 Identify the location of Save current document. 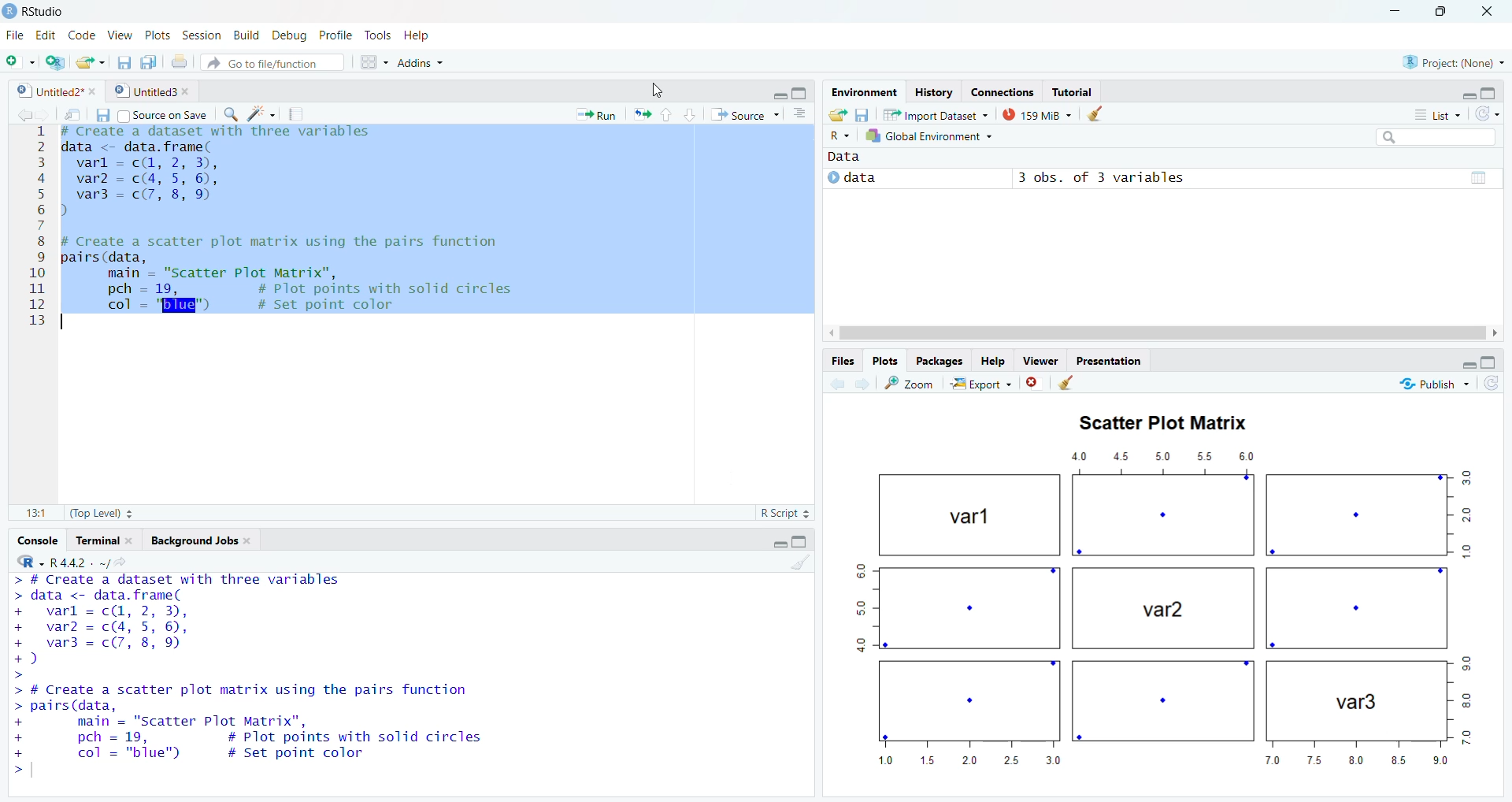
(102, 114).